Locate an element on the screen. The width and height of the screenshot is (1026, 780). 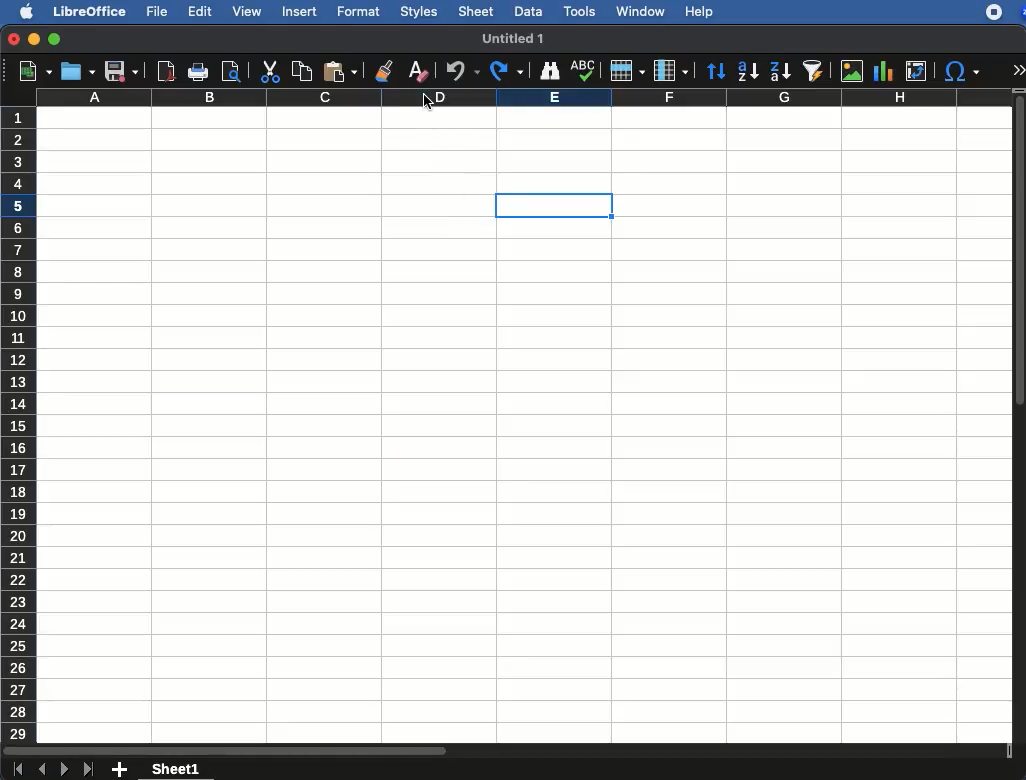
column is located at coordinates (673, 70).